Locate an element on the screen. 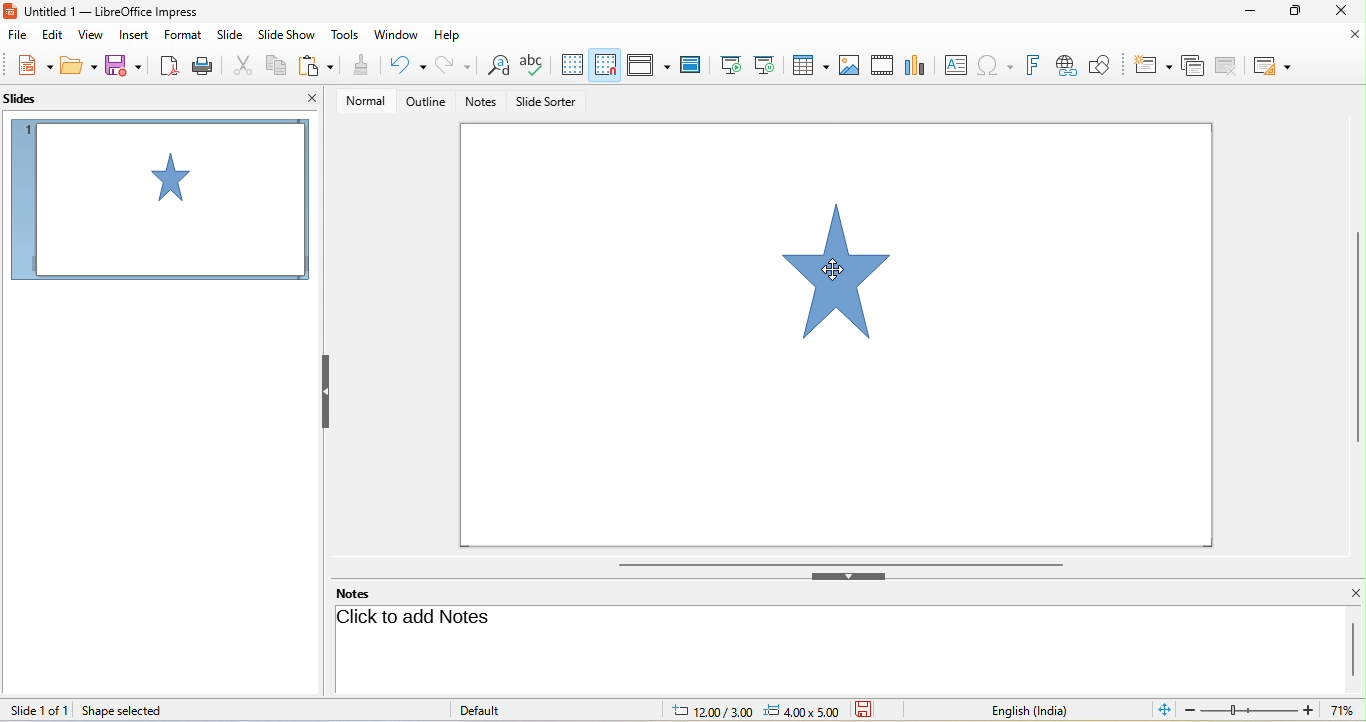 This screenshot has width=1366, height=722. slides is located at coordinates (32, 98).